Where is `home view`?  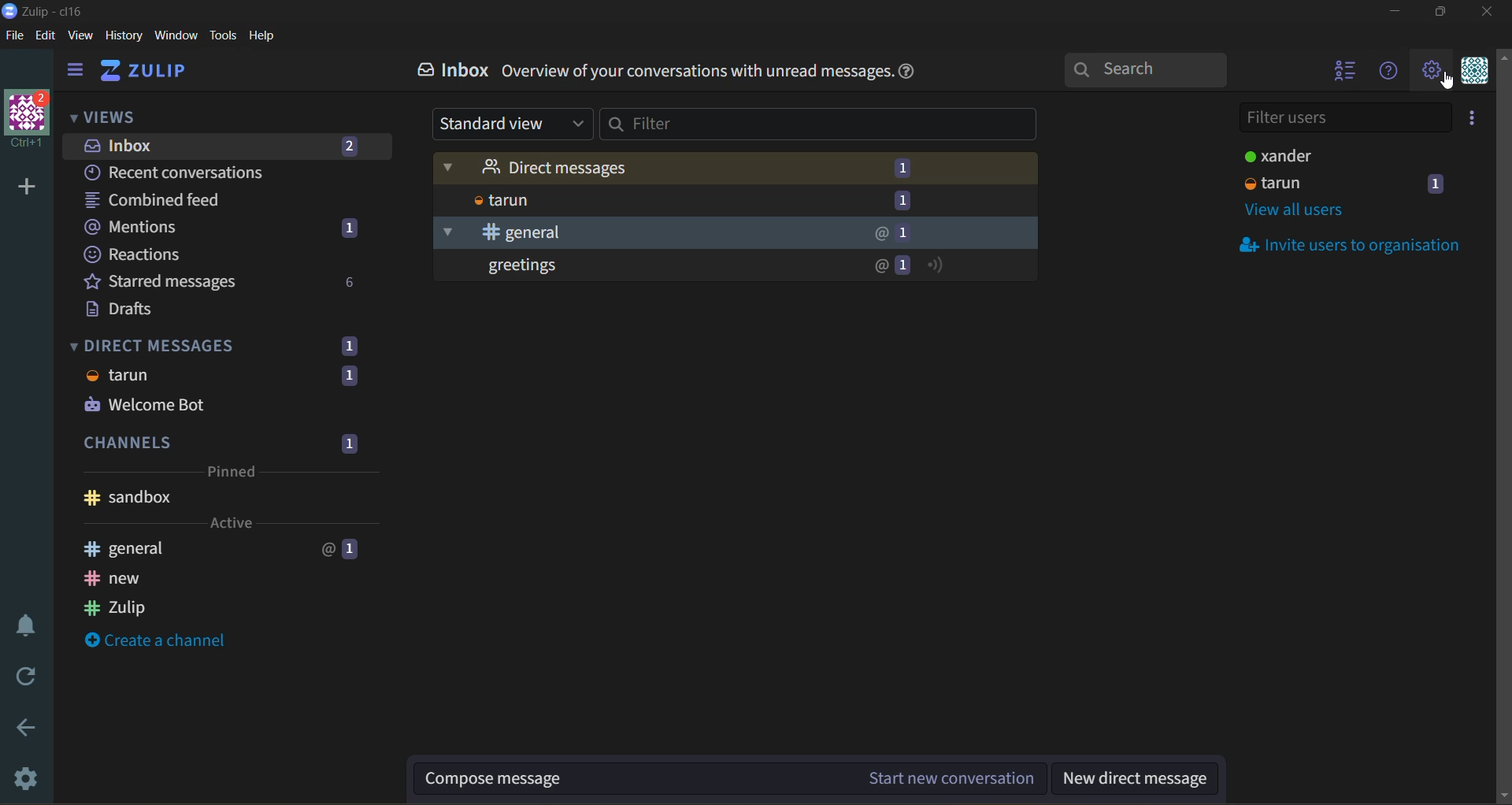 home view is located at coordinates (149, 74).